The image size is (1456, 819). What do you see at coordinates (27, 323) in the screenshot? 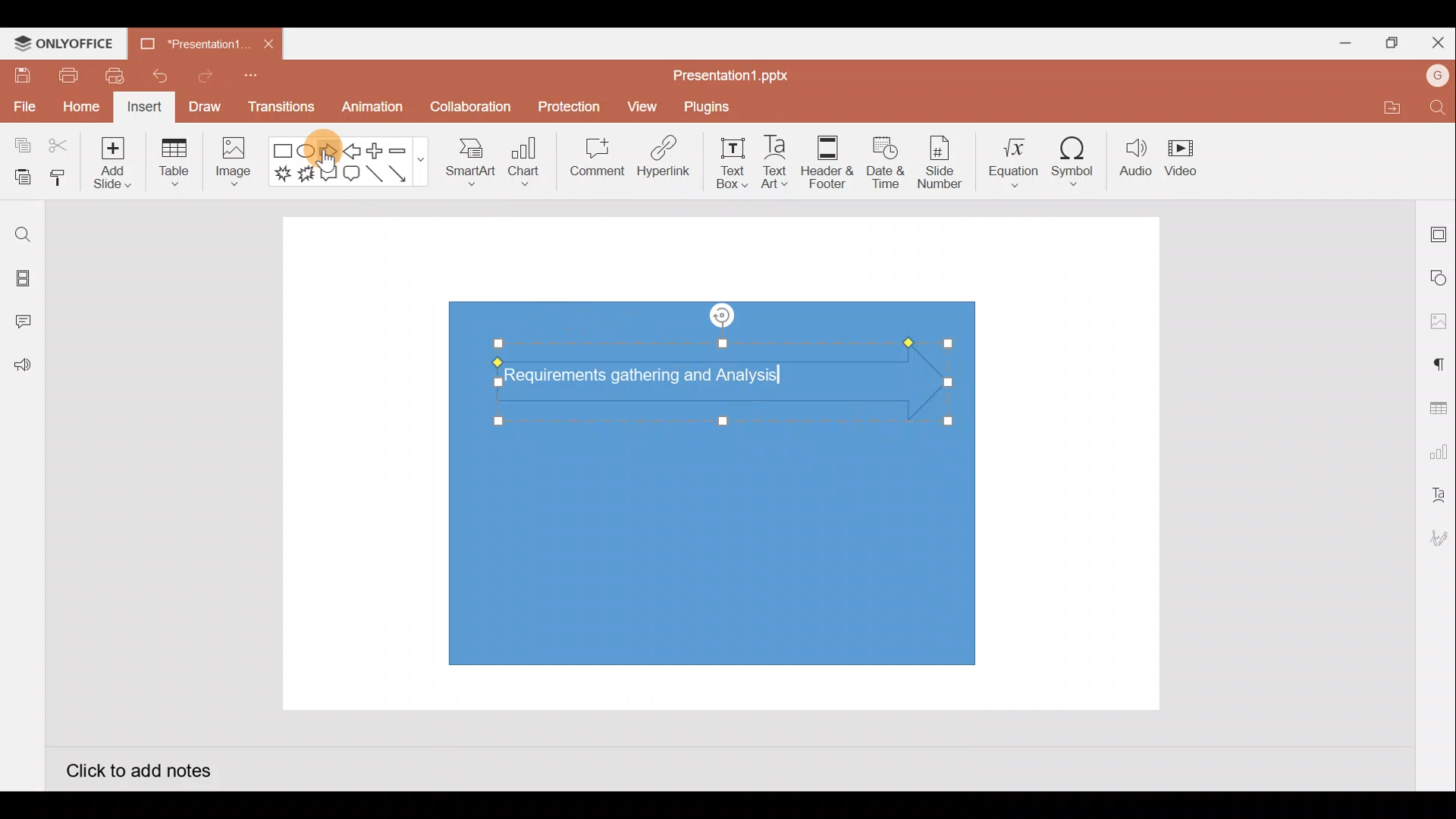
I see `Comments` at bounding box center [27, 323].